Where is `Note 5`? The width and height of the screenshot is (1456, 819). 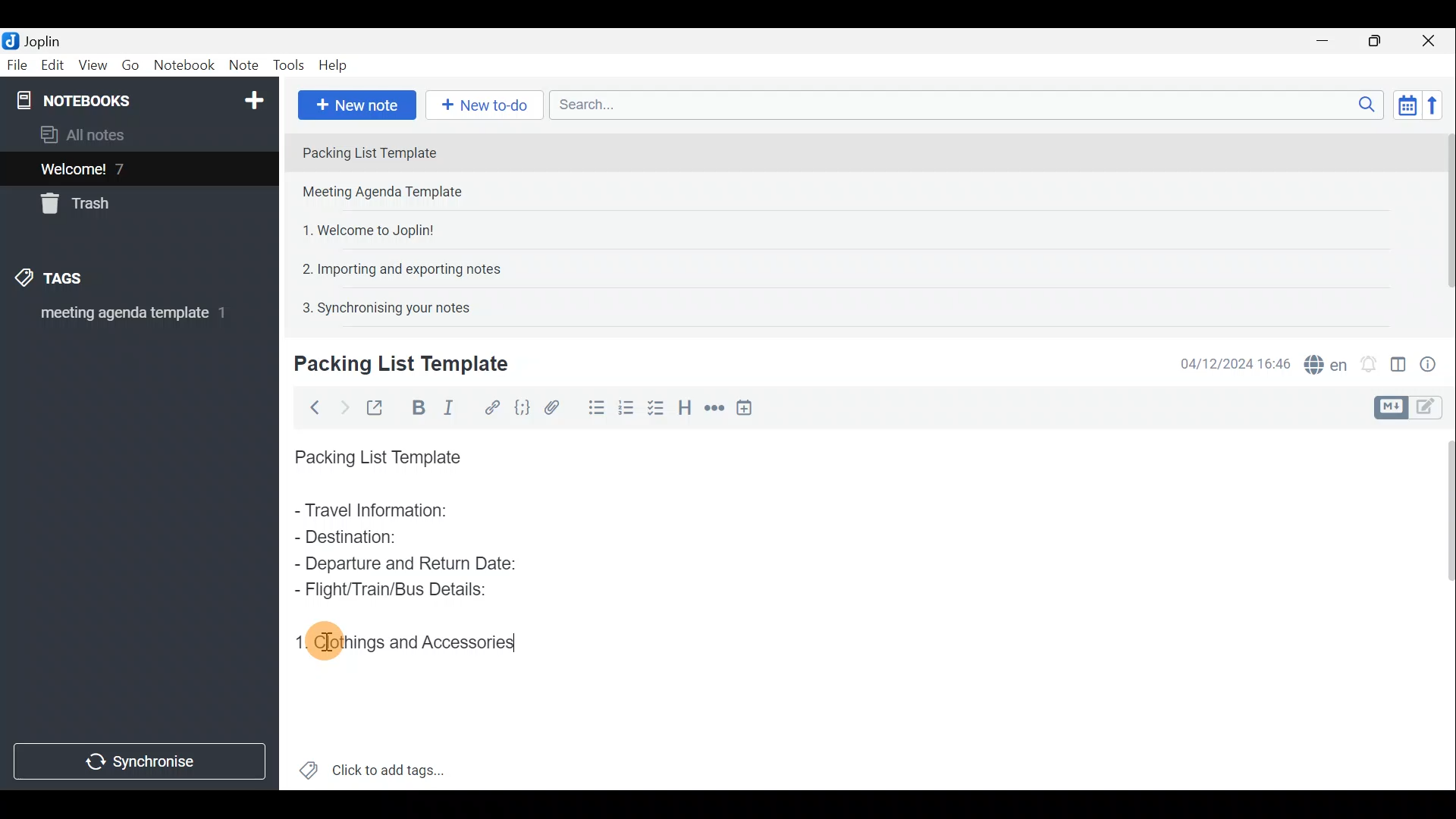 Note 5 is located at coordinates (380, 306).